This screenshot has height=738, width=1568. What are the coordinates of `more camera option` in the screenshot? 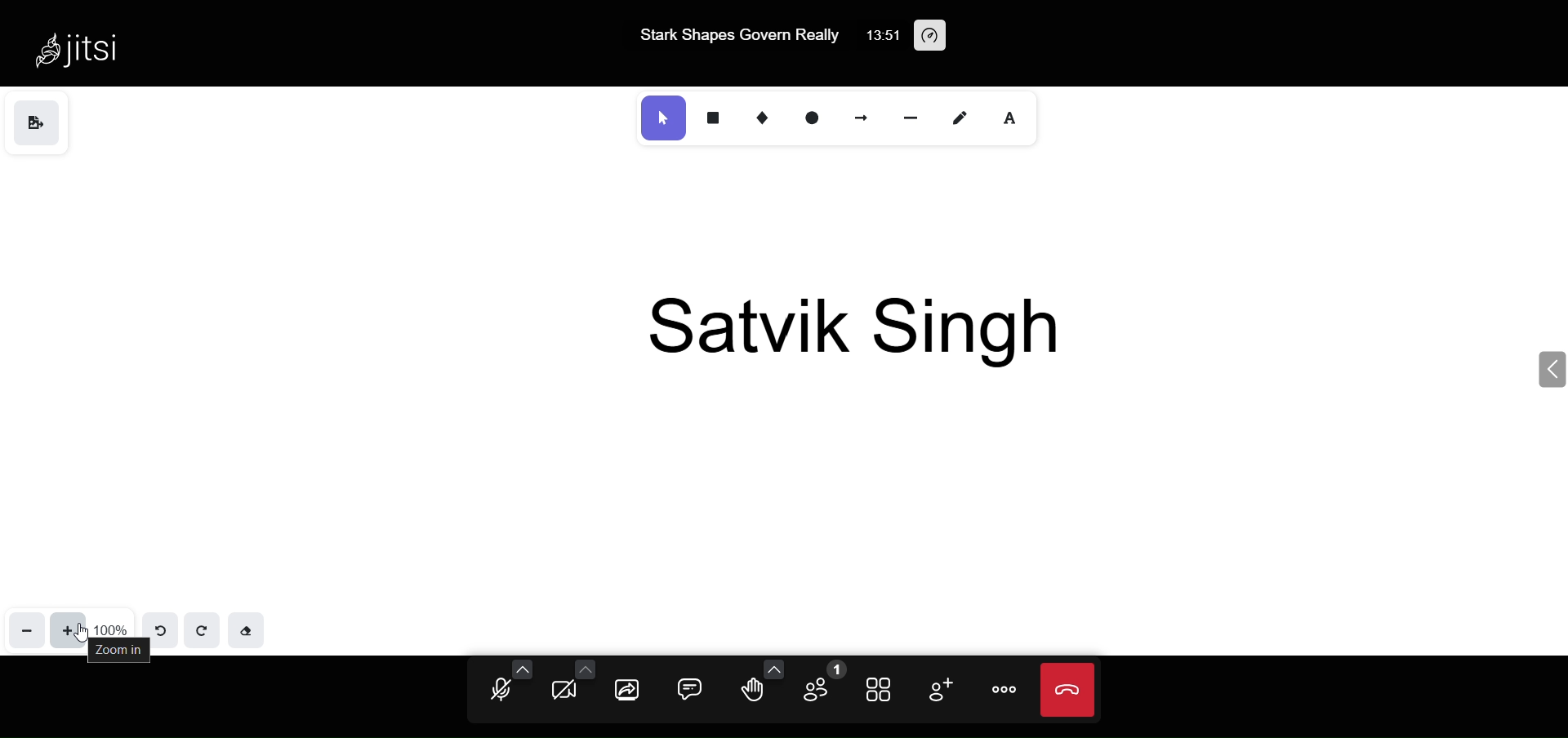 It's located at (587, 669).